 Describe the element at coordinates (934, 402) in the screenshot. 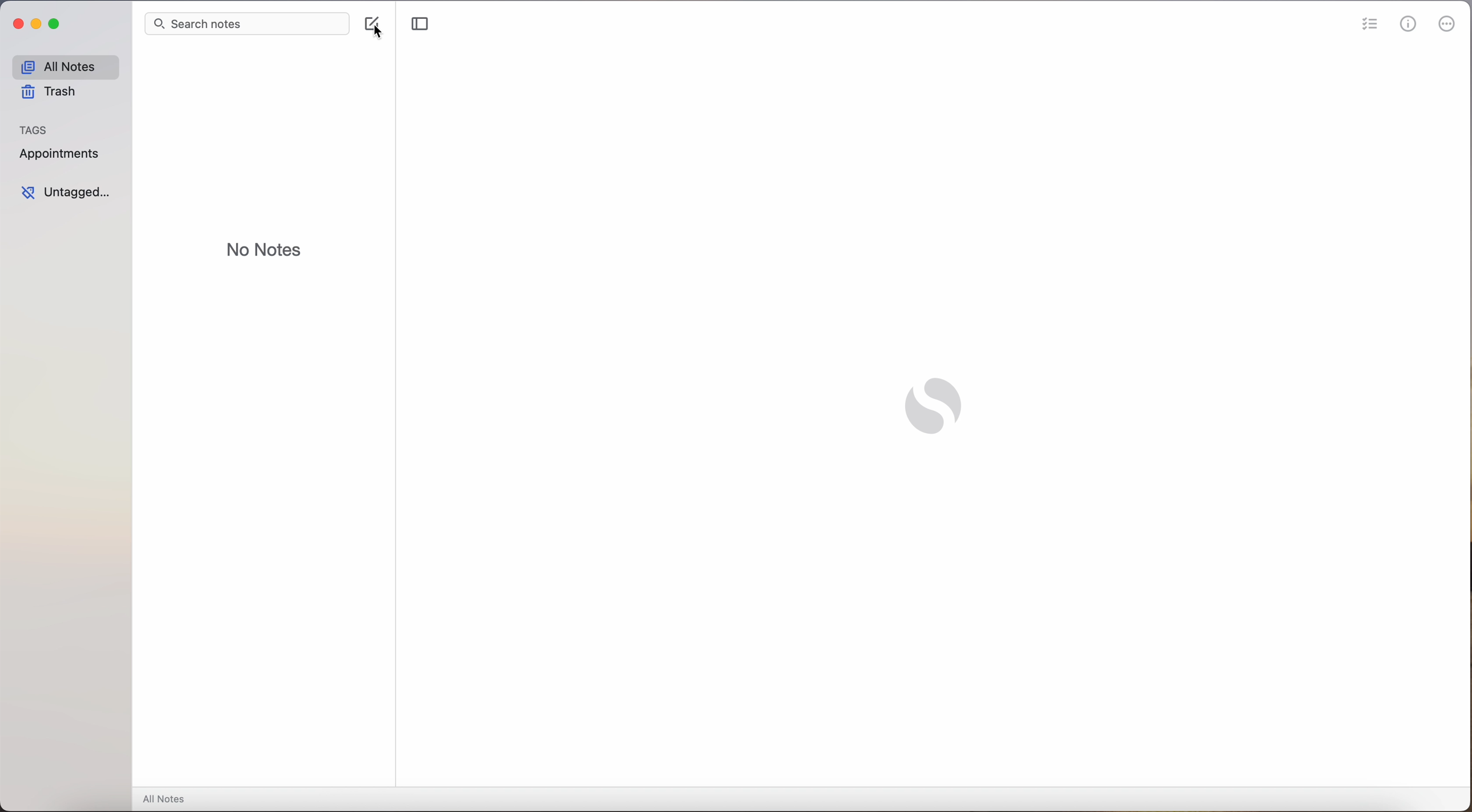

I see `Simplenote logo` at that location.